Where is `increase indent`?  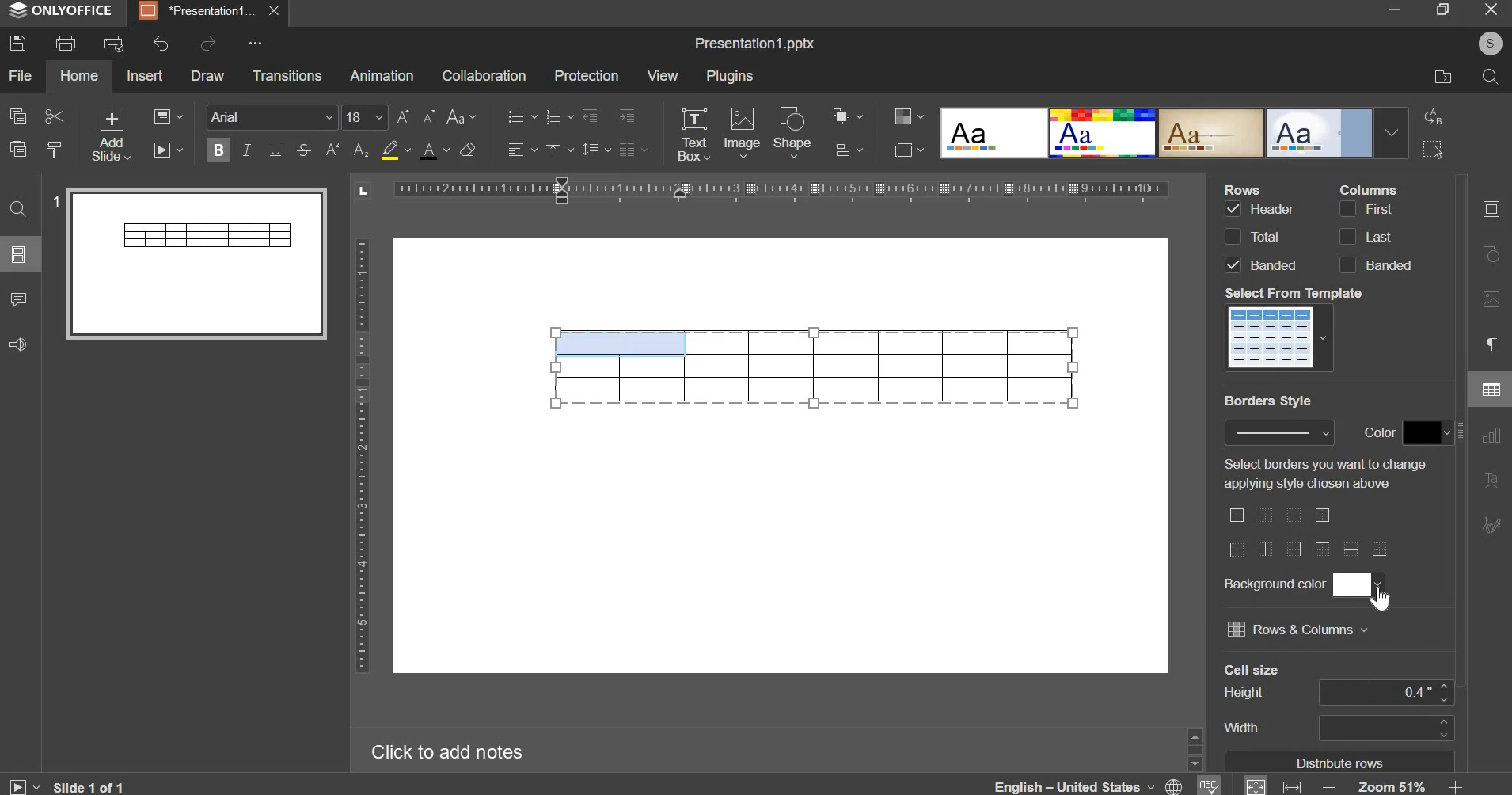 increase indent is located at coordinates (628, 116).